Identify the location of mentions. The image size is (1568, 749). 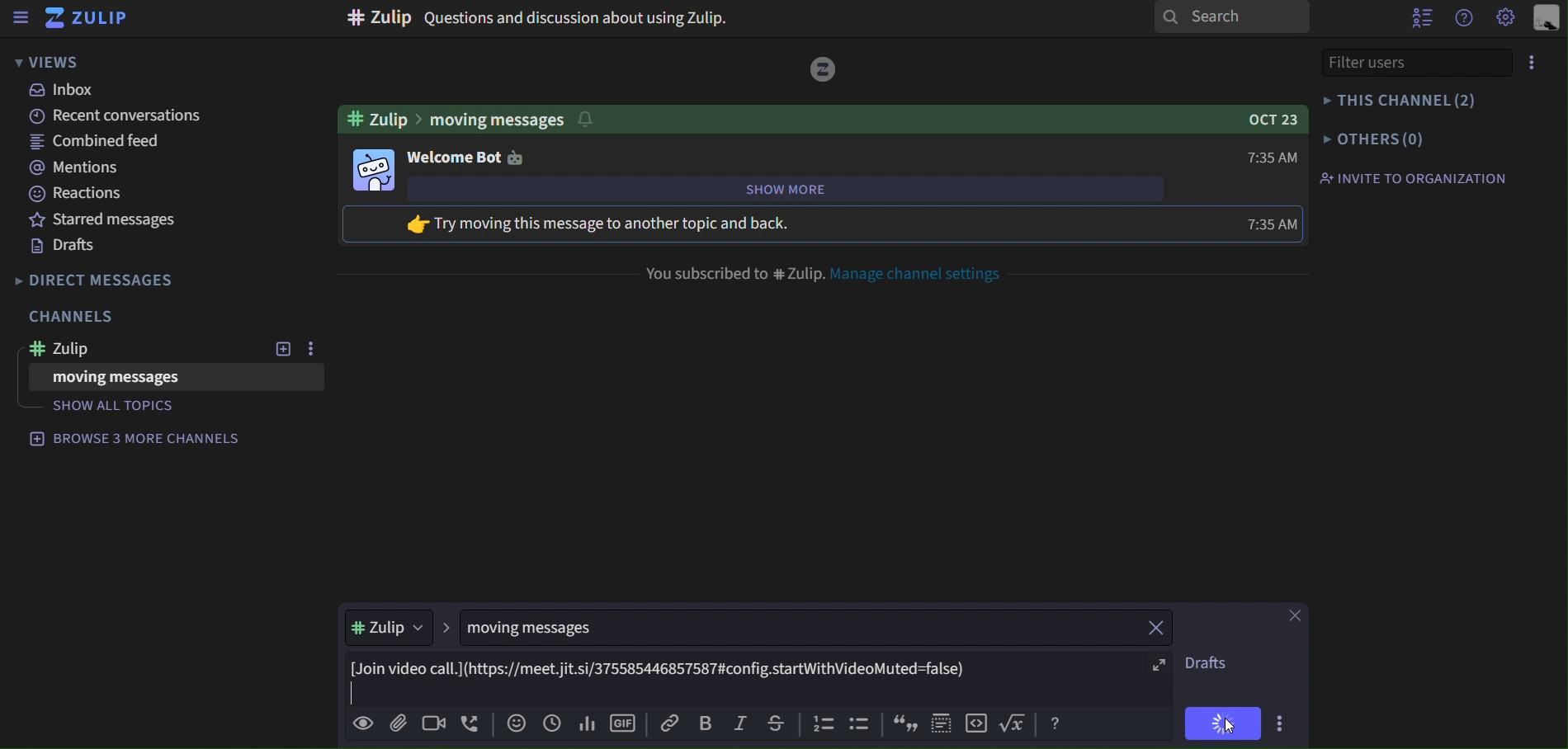
(73, 167).